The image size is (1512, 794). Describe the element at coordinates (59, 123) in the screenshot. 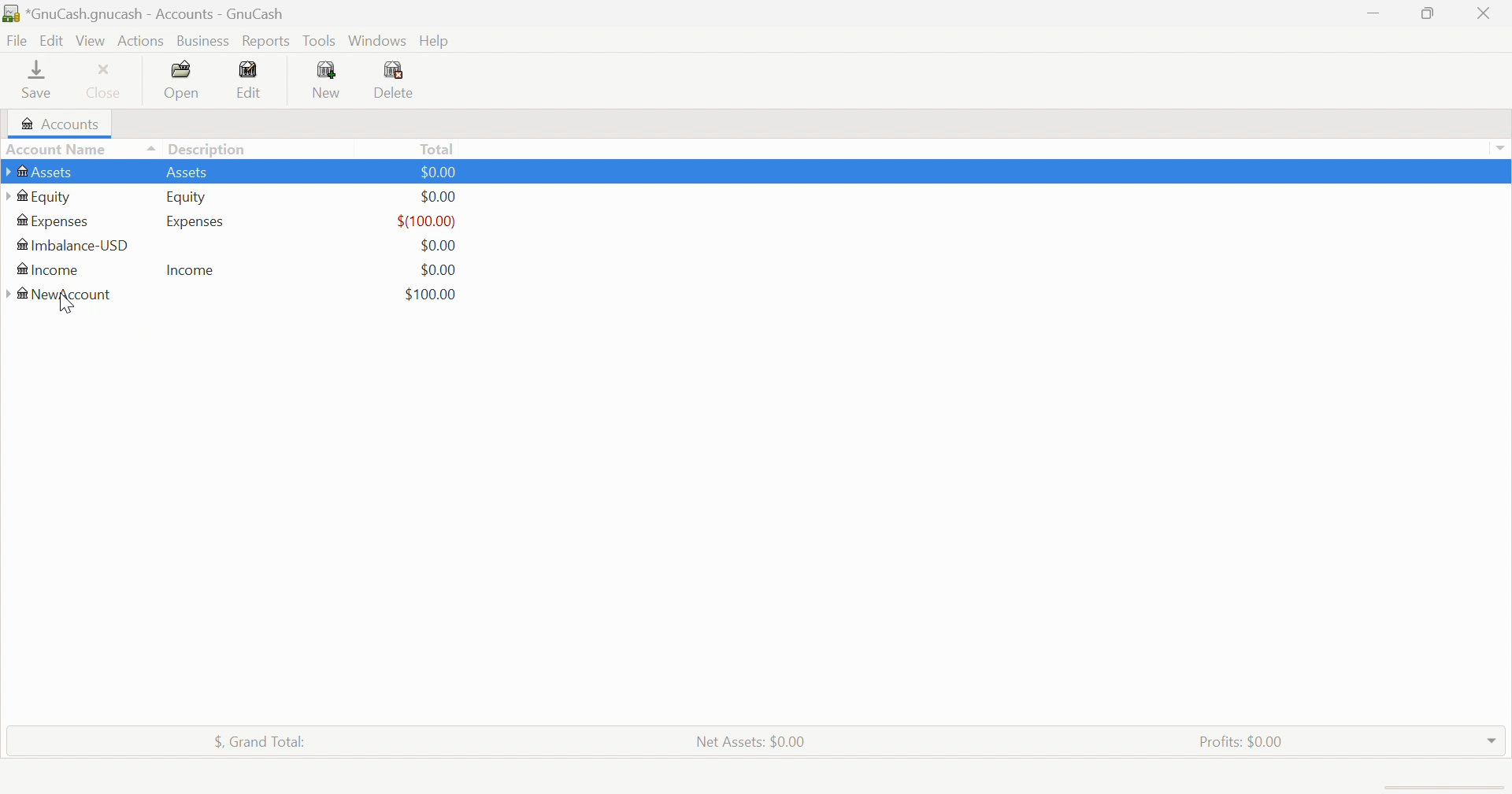

I see `Accounts` at that location.